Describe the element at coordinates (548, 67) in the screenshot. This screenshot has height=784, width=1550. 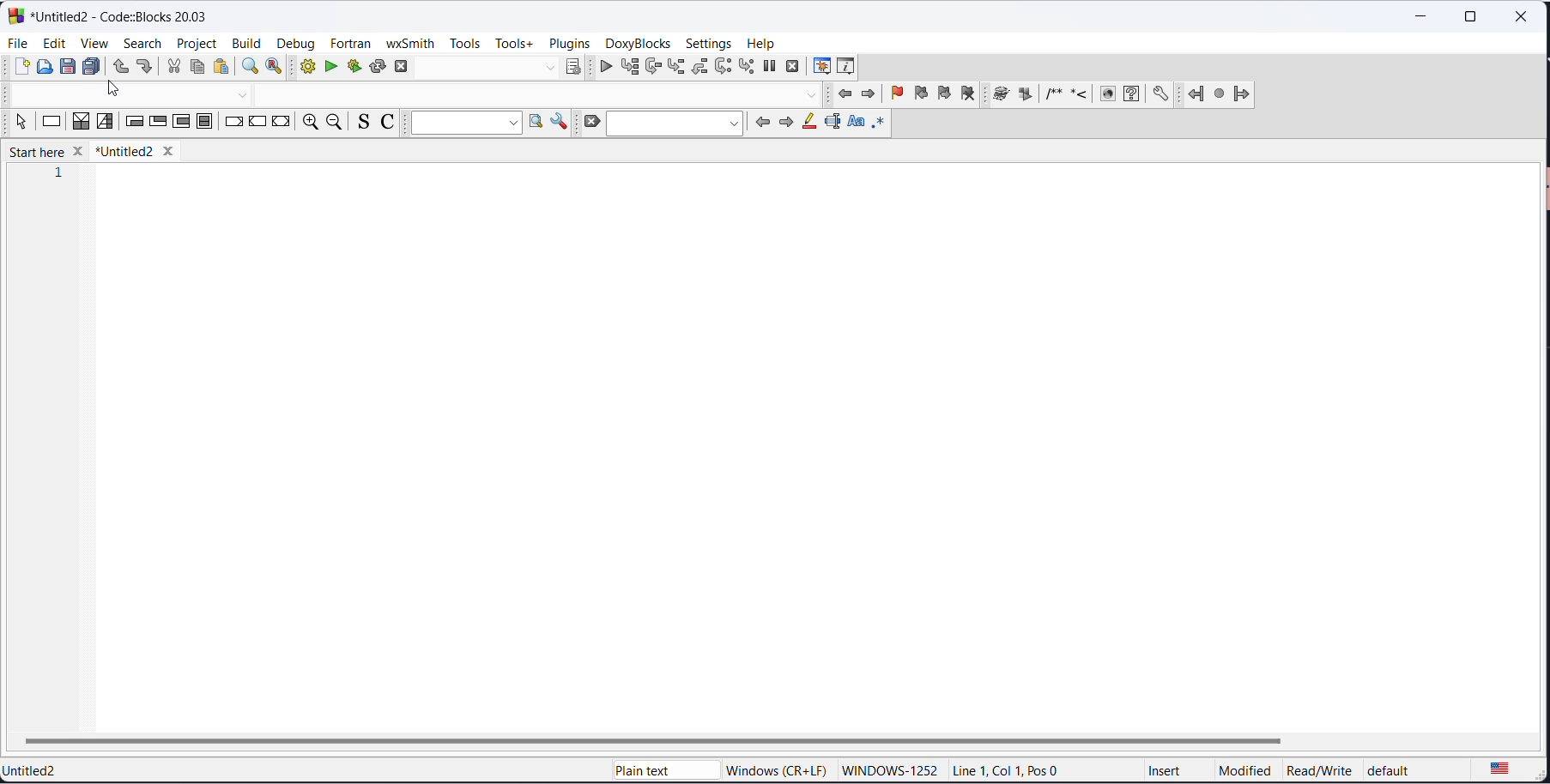
I see `dropdown button` at that location.